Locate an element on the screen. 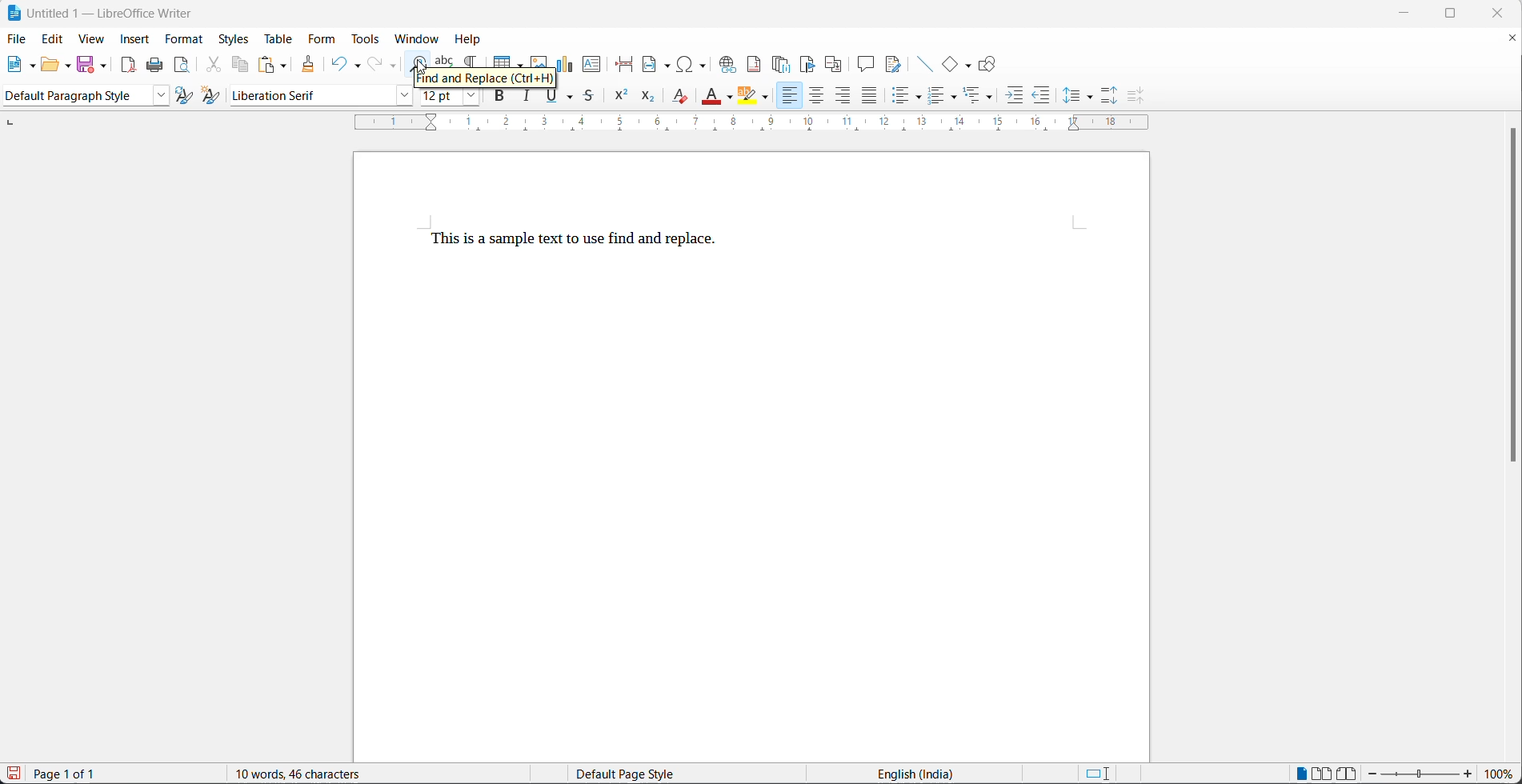  English (India) is located at coordinates (920, 773).